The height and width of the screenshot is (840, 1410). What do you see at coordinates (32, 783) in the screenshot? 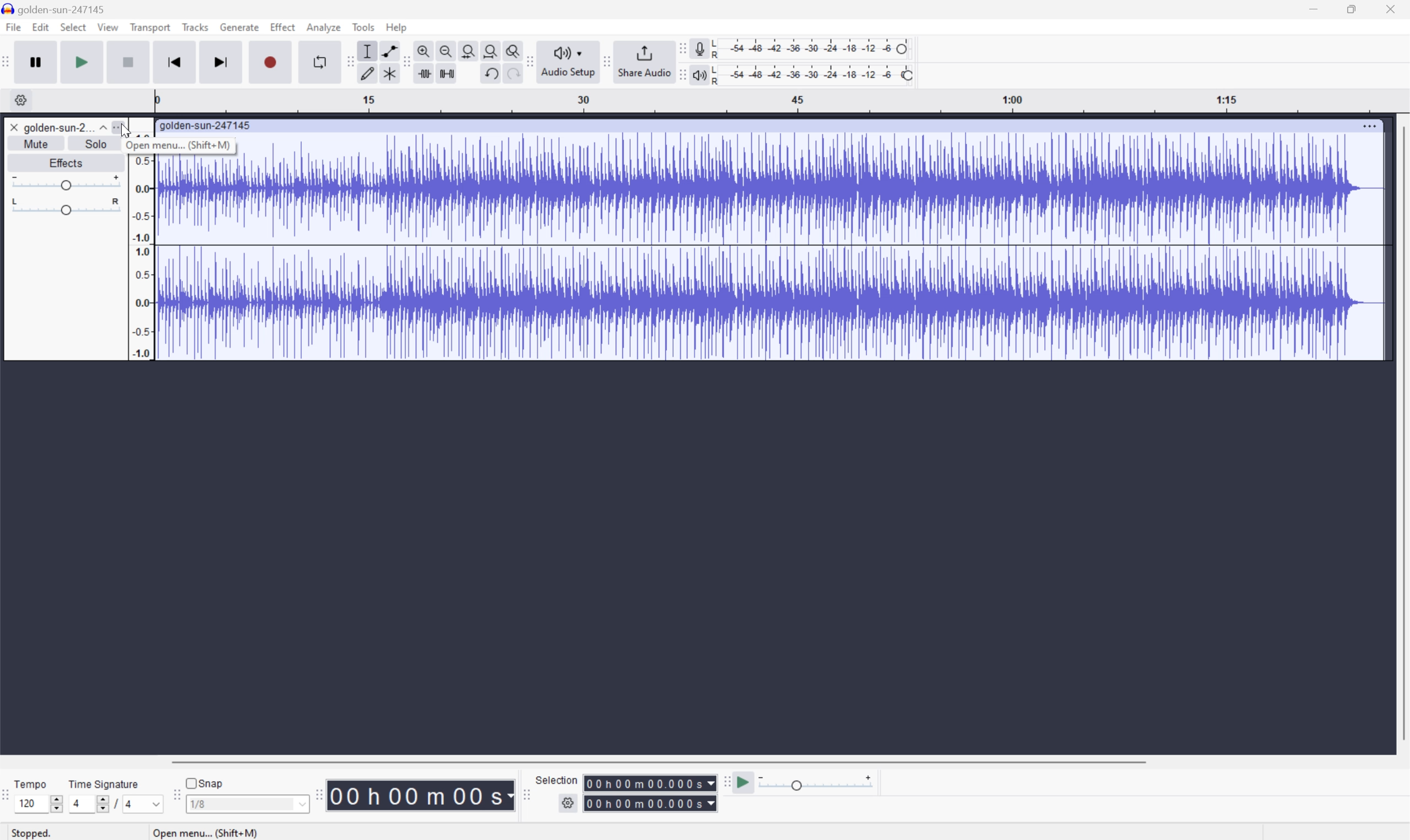
I see `Tempo` at bounding box center [32, 783].